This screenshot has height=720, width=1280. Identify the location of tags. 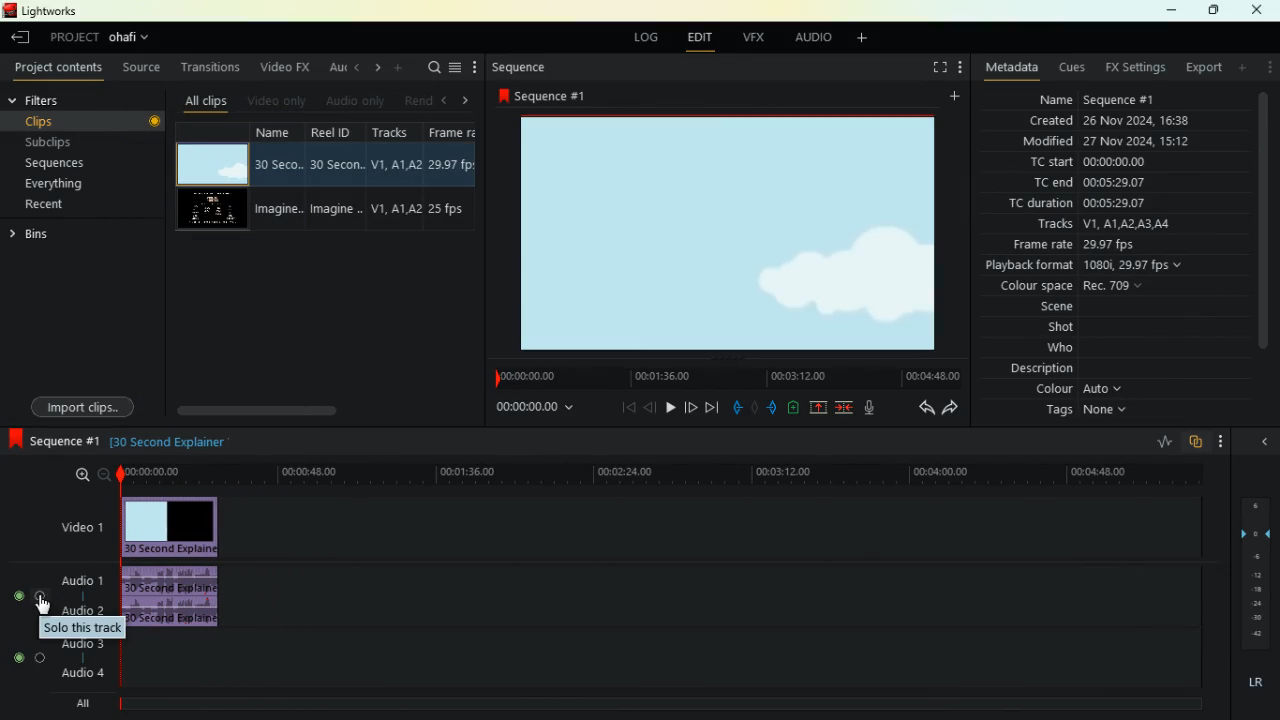
(1081, 412).